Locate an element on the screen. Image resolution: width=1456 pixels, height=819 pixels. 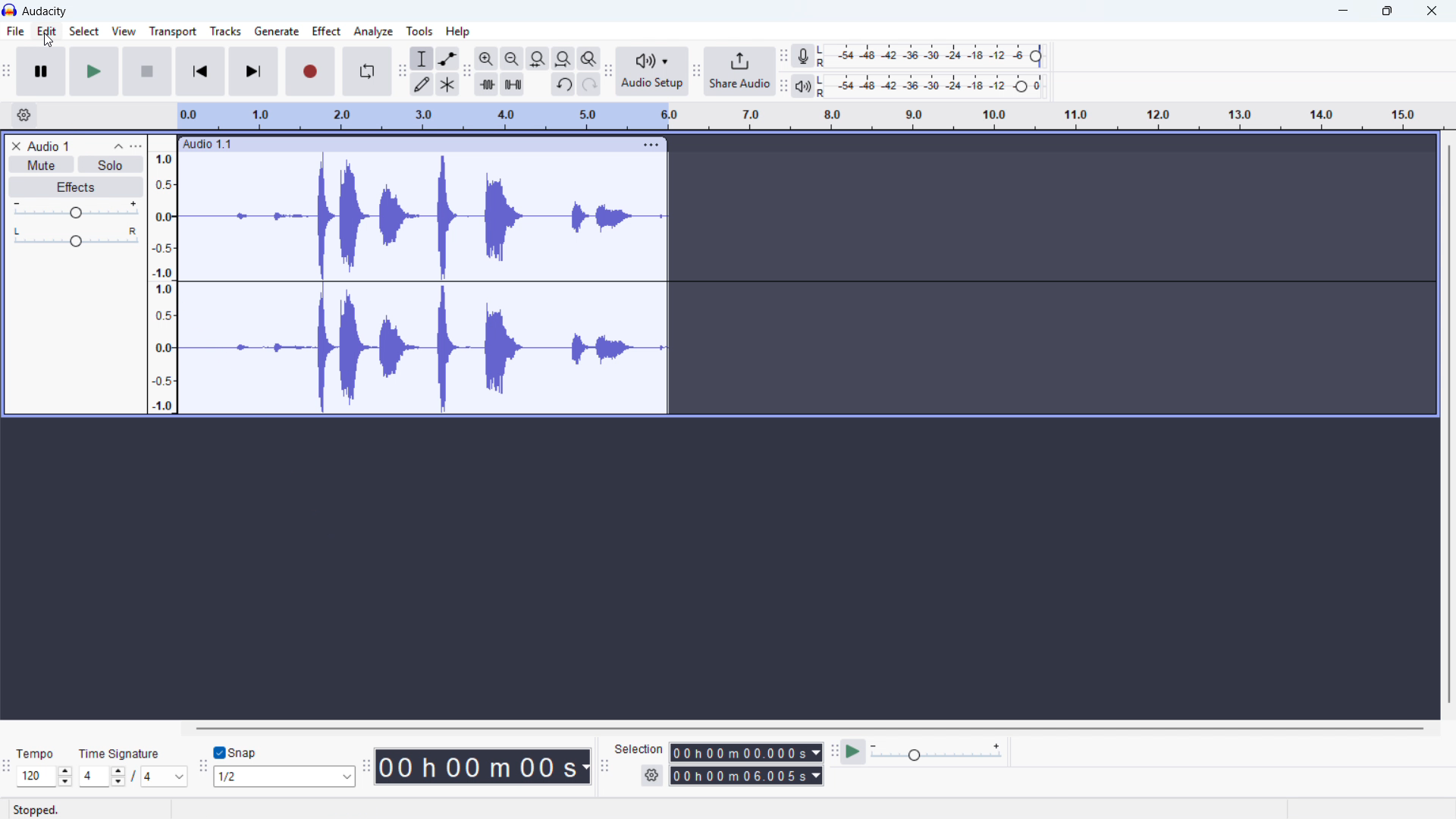
maximize is located at coordinates (1389, 11).